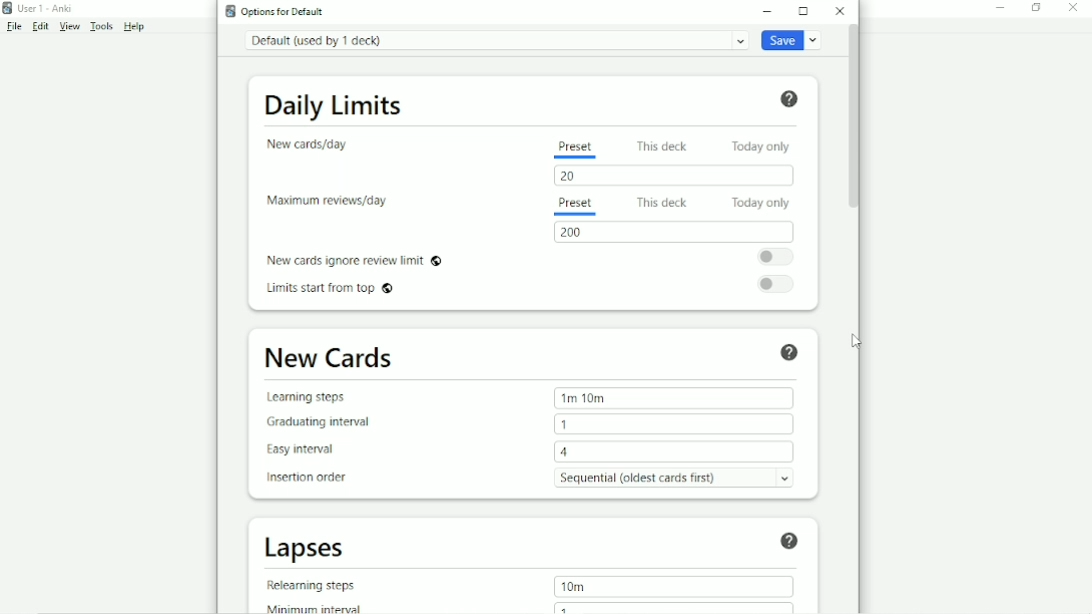  What do you see at coordinates (8, 8) in the screenshot?
I see `Anki logo` at bounding box center [8, 8].